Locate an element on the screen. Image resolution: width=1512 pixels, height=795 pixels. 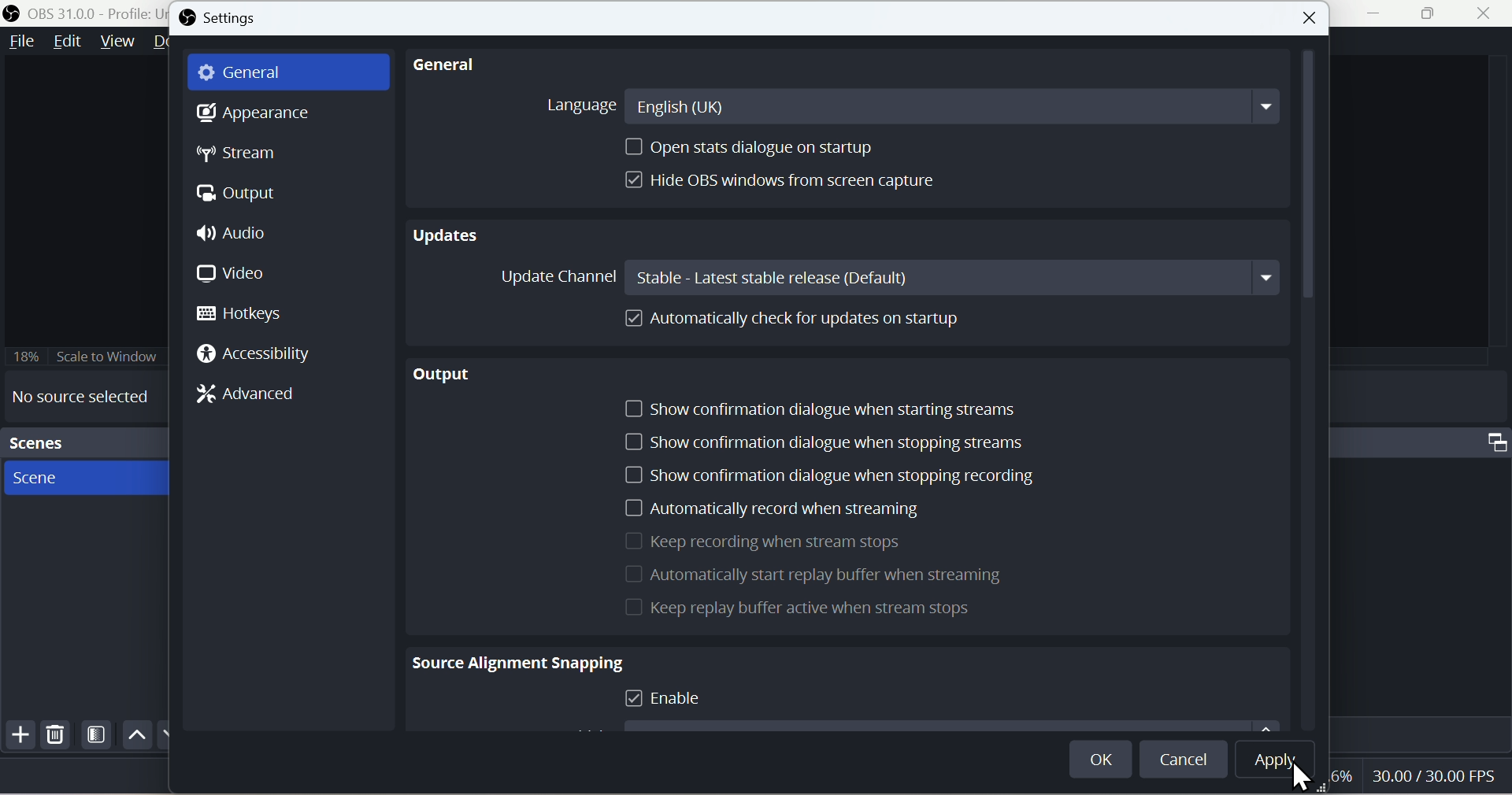
Advanced is located at coordinates (251, 398).